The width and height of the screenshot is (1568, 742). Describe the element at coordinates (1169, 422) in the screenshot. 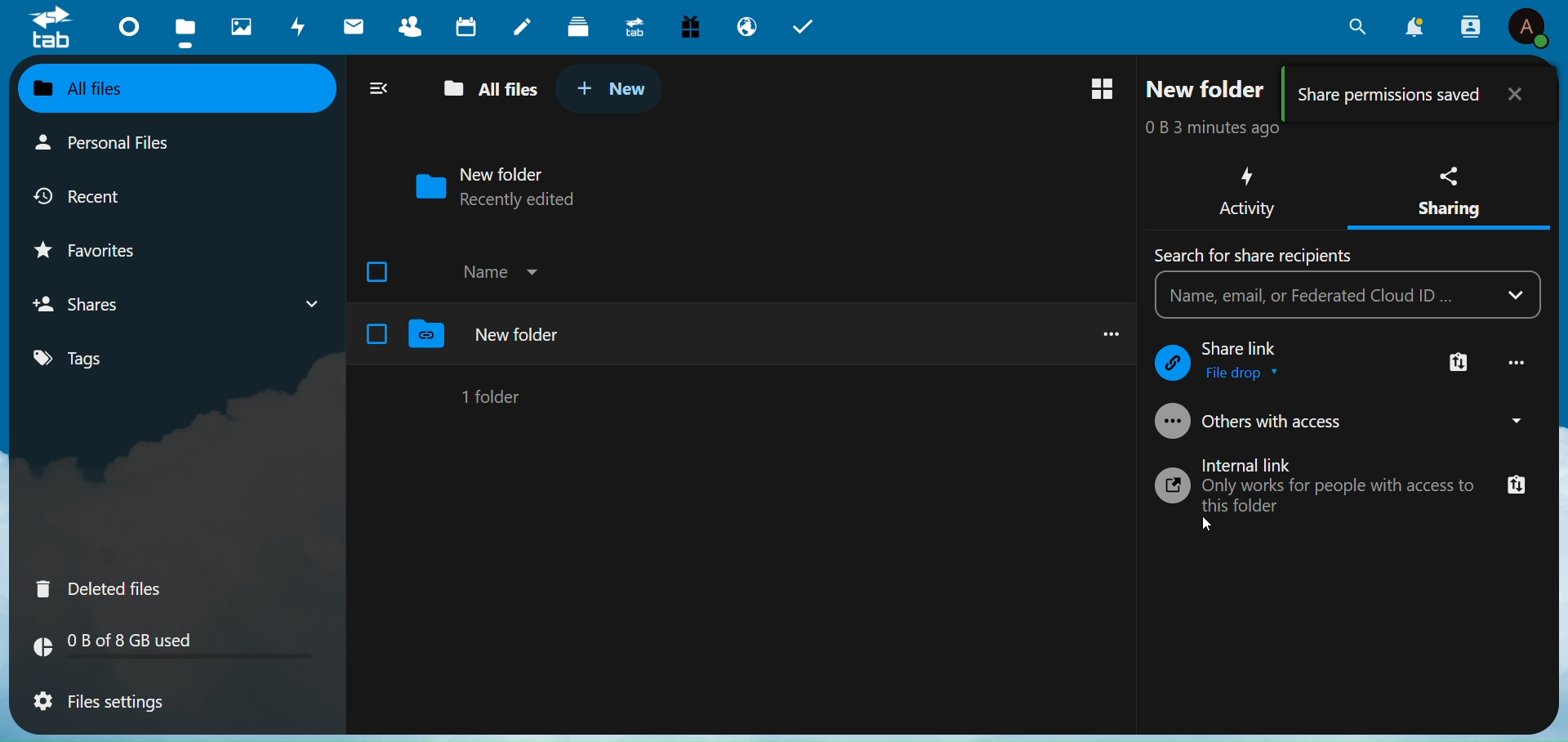

I see `Icon` at that location.